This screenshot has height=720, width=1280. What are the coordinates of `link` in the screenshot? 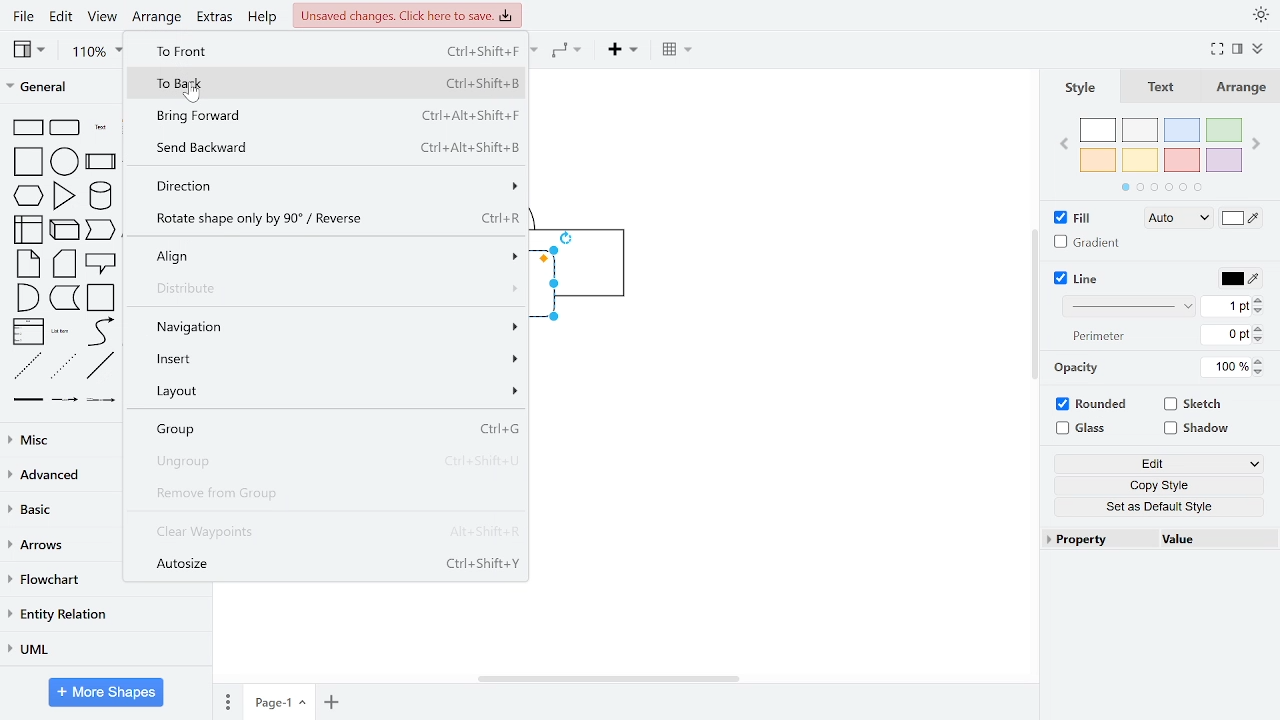 It's located at (26, 399).